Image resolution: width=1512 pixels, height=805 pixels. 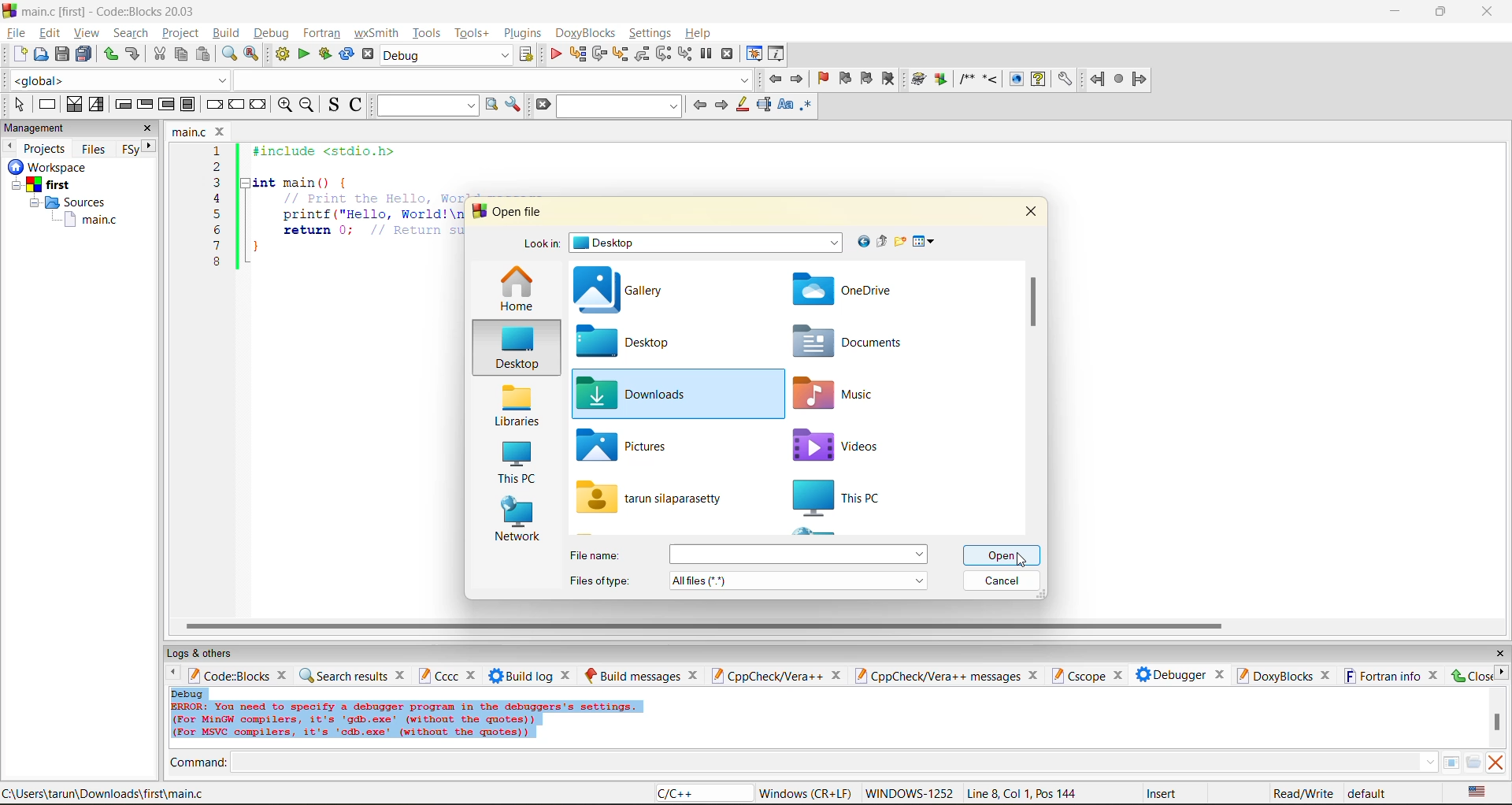 I want to click on Windows 1252, so click(x=910, y=794).